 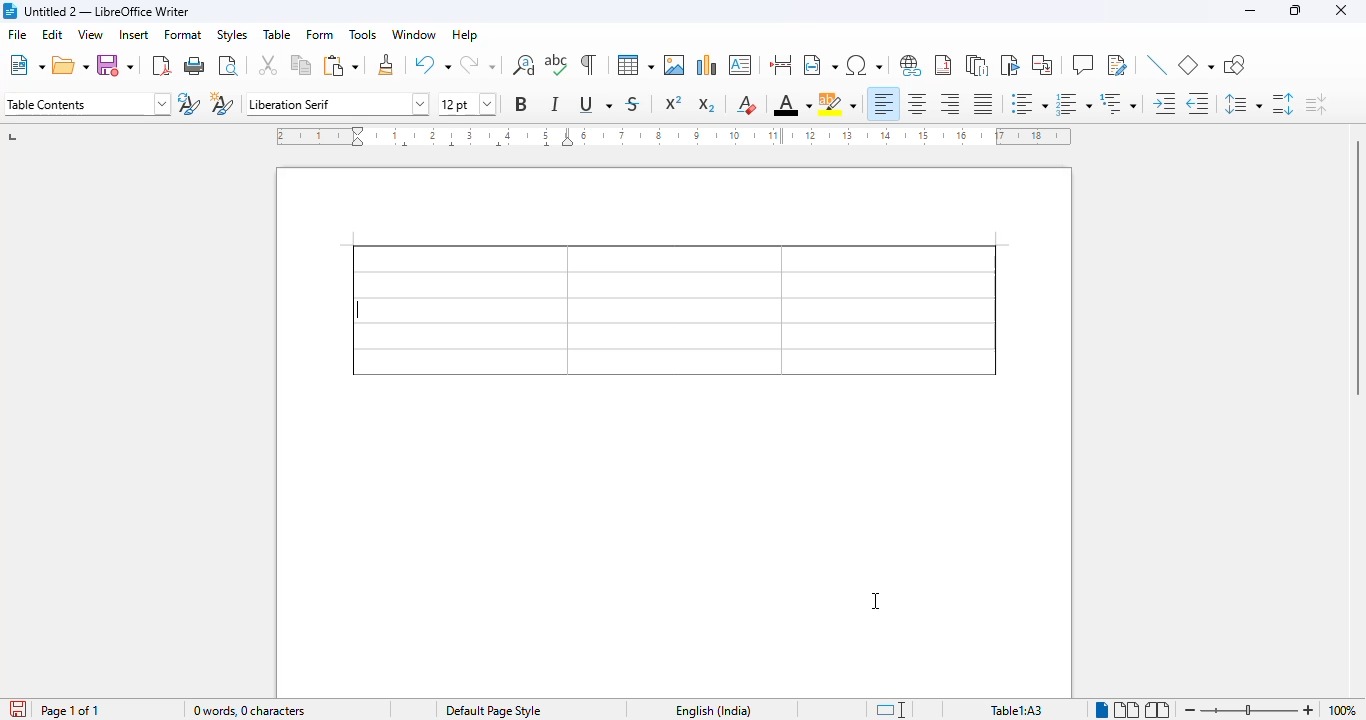 I want to click on undo, so click(x=433, y=64).